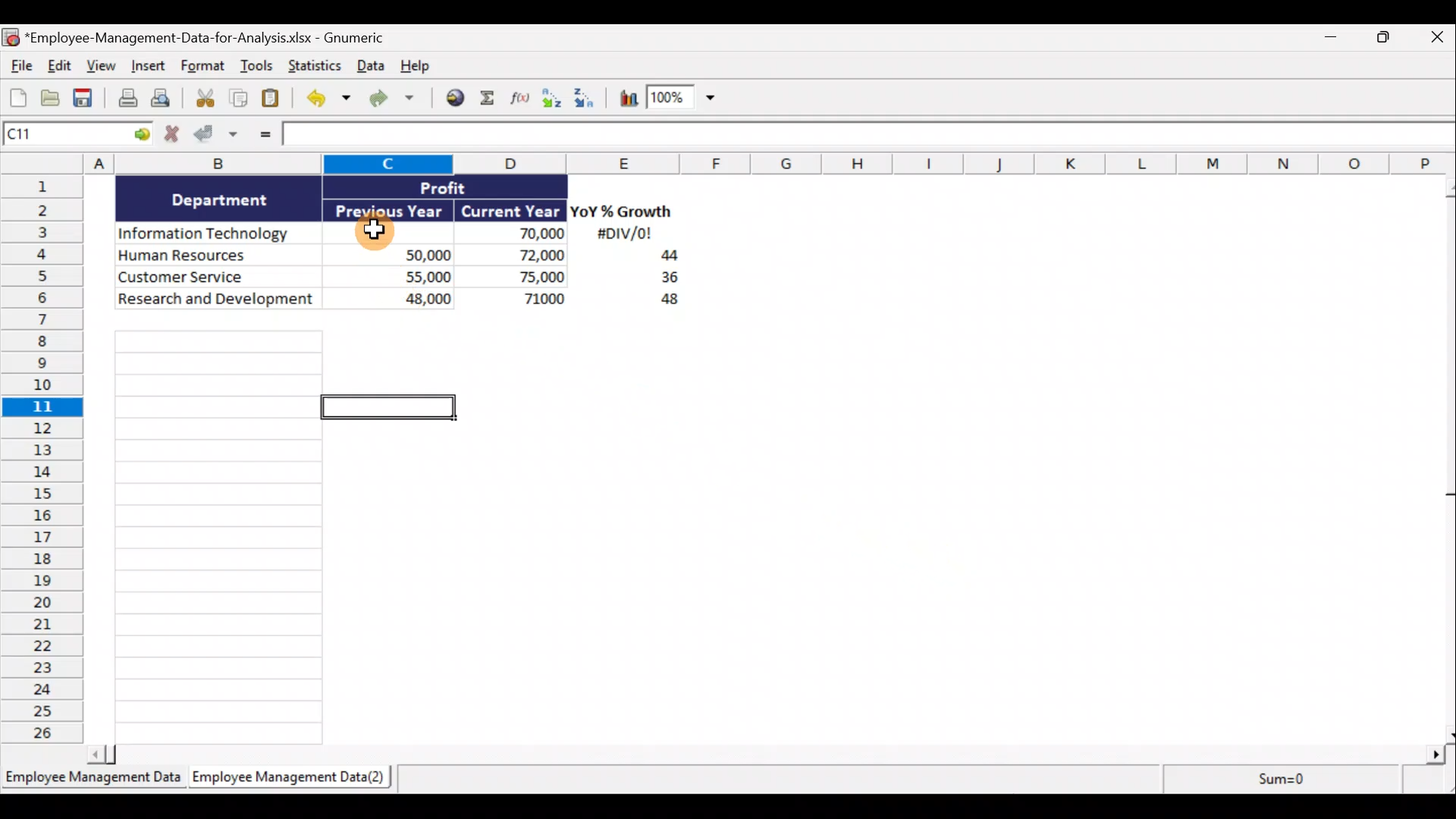 The image size is (1456, 819). Describe the element at coordinates (92, 777) in the screenshot. I see `Employee Management Data` at that location.